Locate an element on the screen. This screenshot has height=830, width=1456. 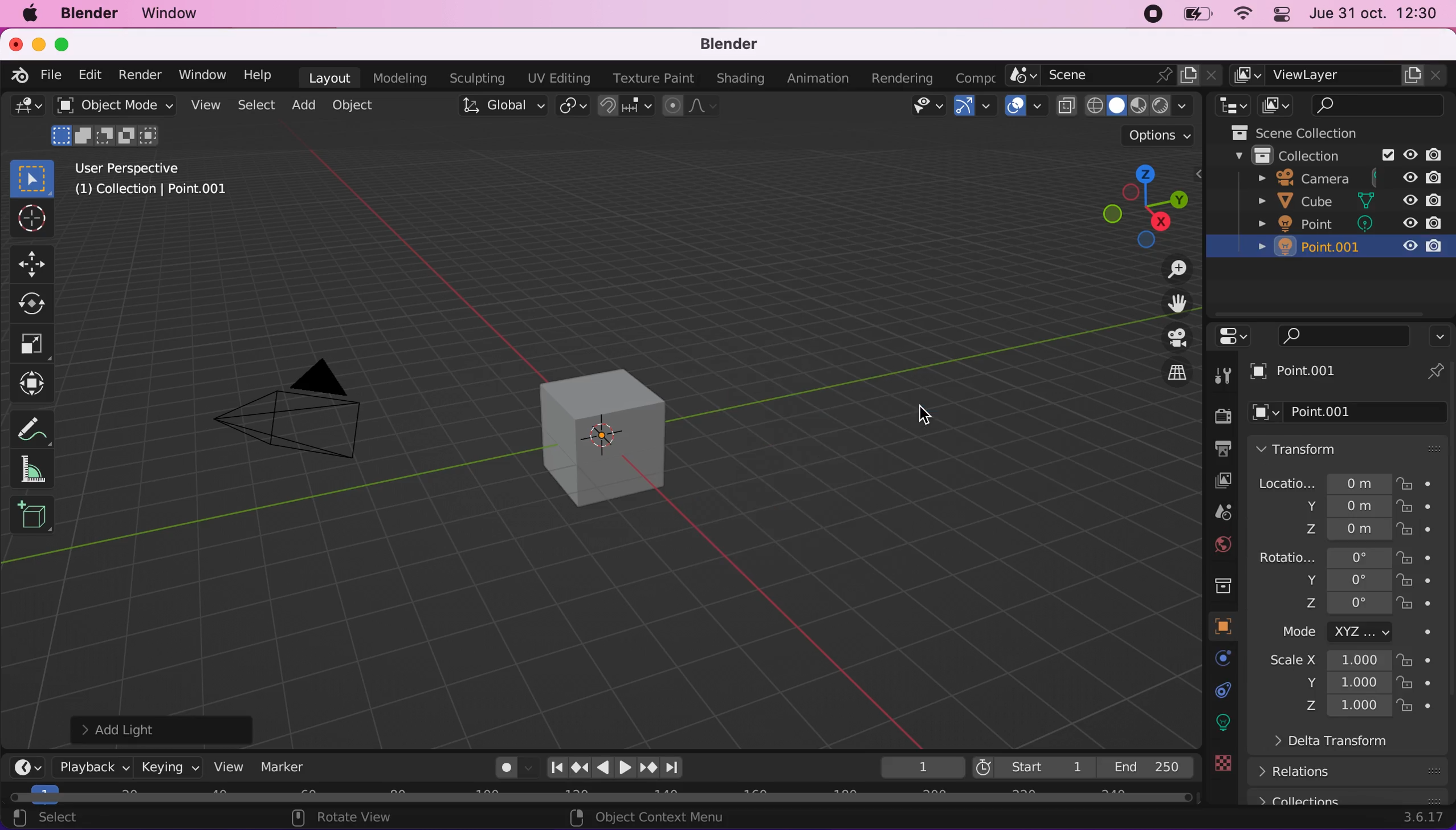
toggle the current view is located at coordinates (1166, 372).